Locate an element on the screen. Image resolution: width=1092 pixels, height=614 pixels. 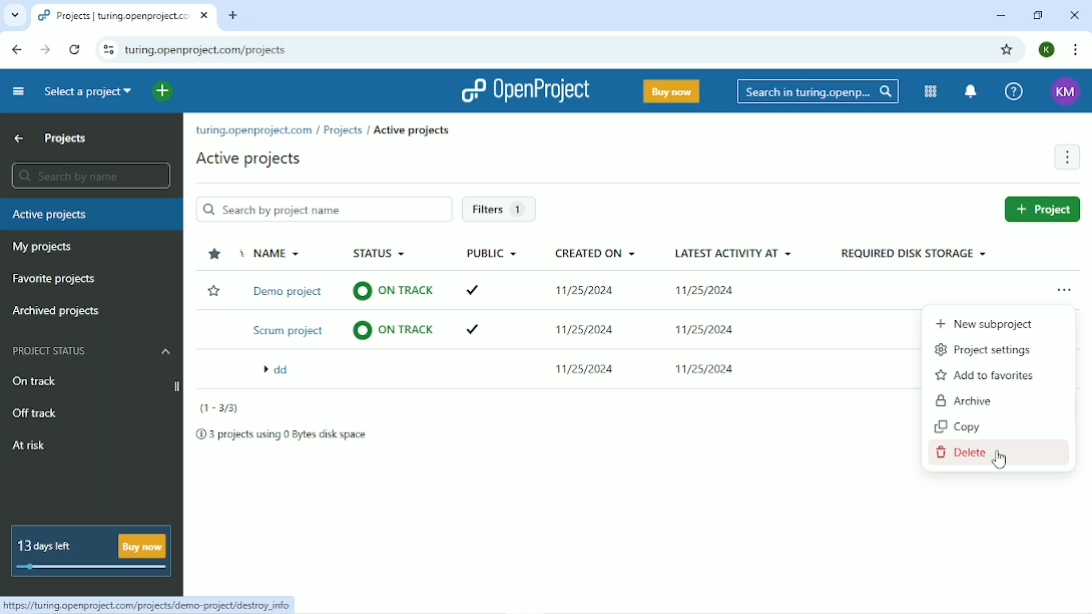
dd is located at coordinates (283, 371).